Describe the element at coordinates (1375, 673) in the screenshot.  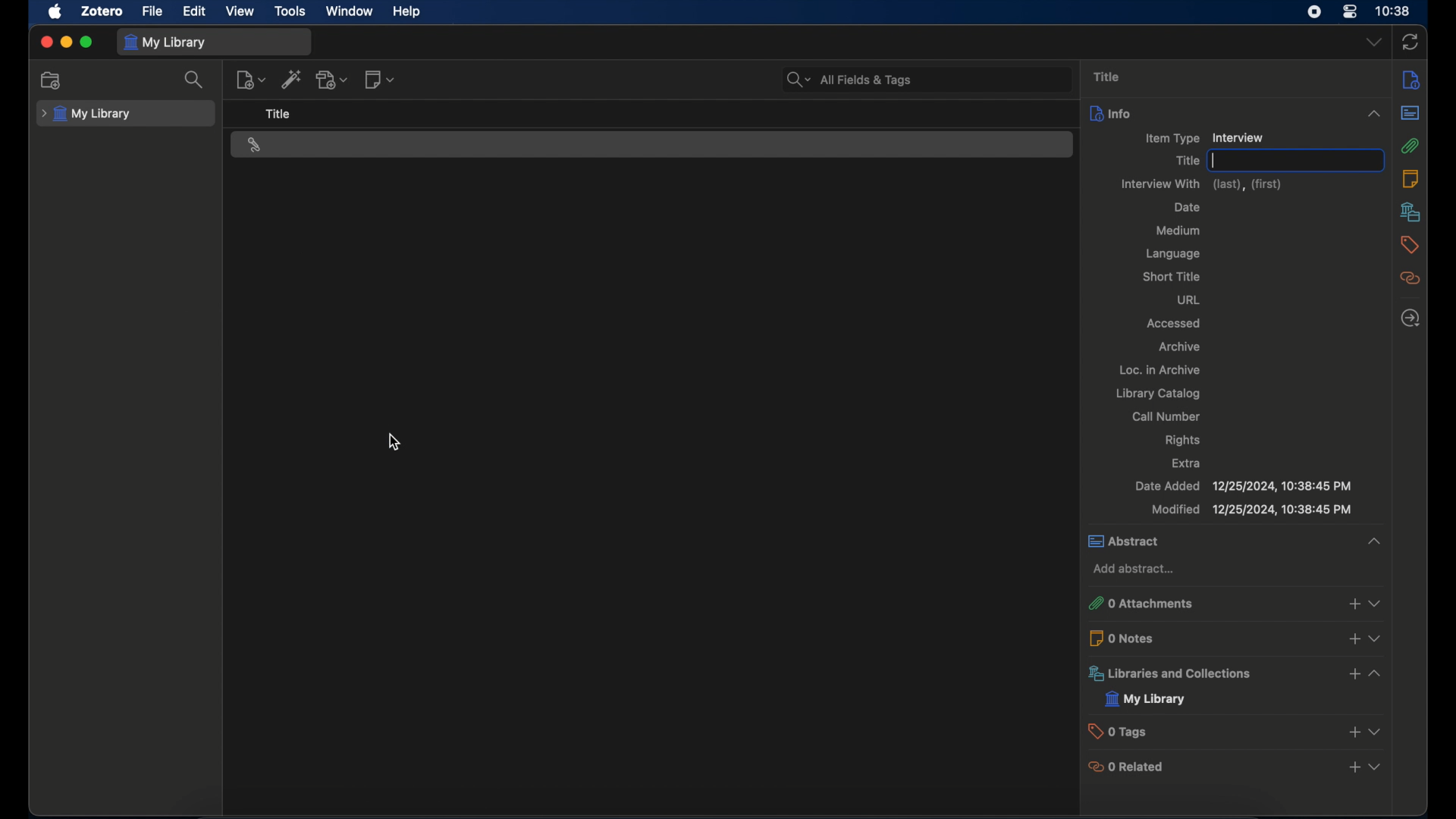
I see `view` at that location.